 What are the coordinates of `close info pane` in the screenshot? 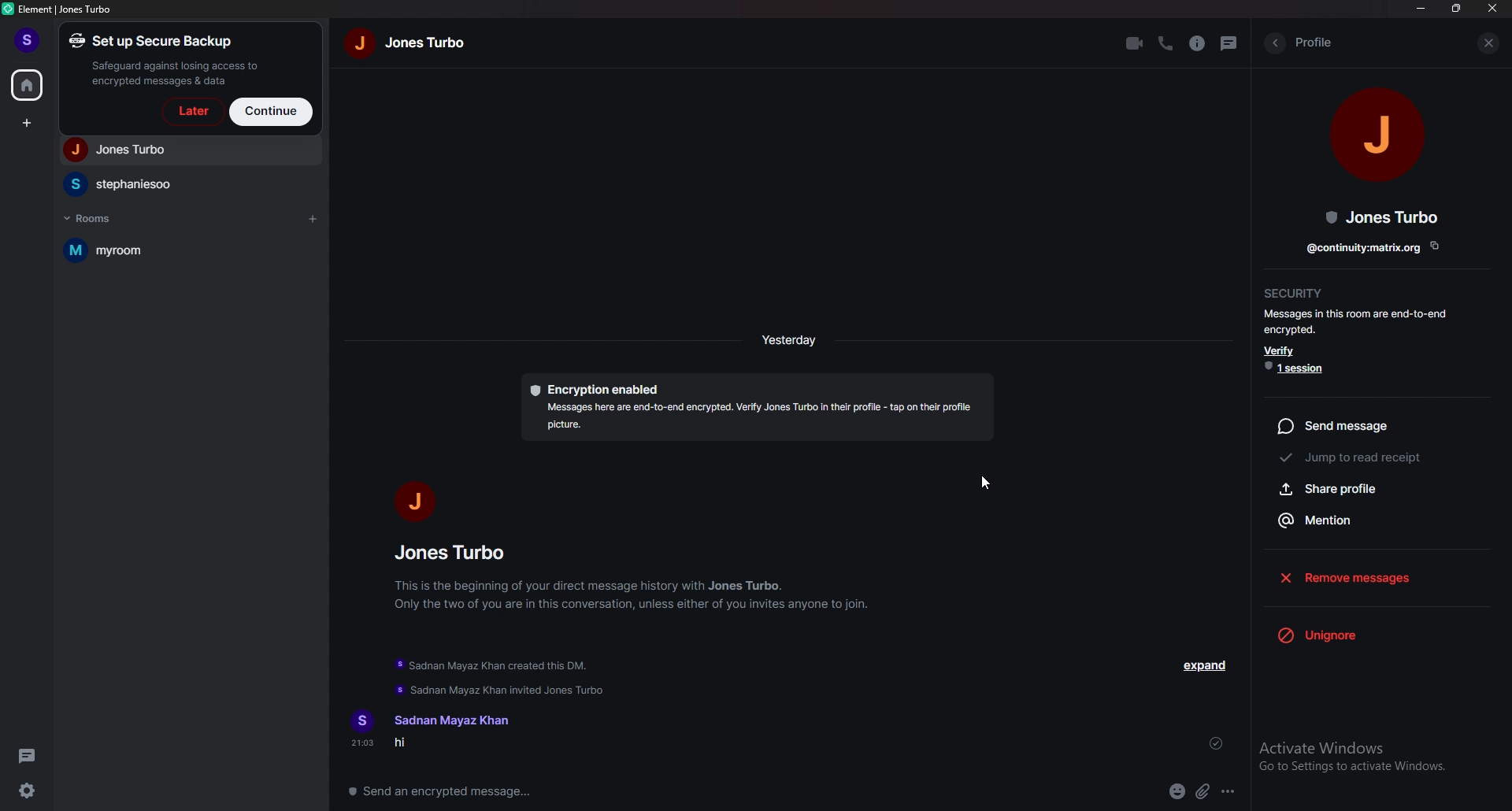 It's located at (1491, 44).